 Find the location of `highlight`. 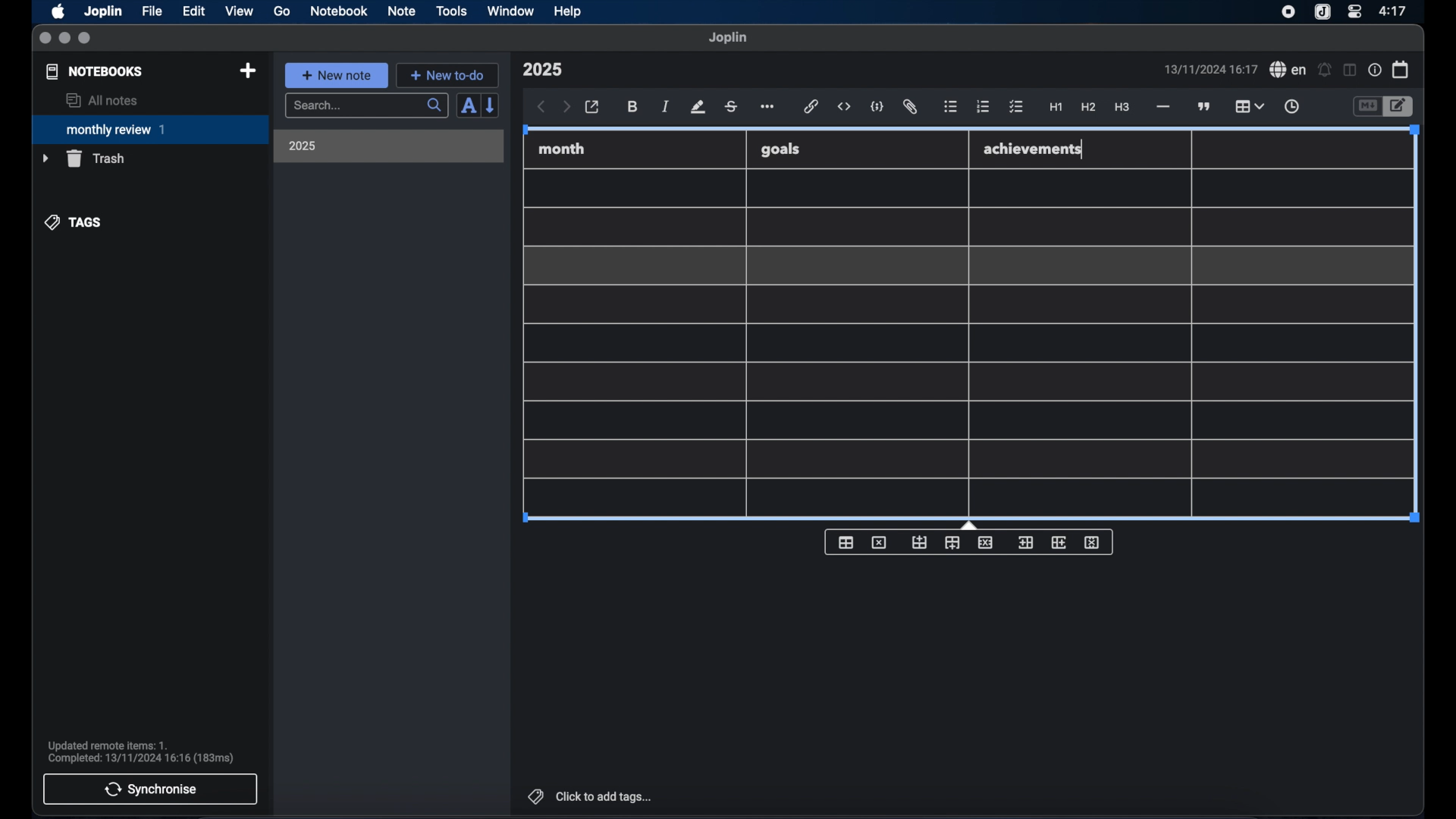

highlight is located at coordinates (698, 107).